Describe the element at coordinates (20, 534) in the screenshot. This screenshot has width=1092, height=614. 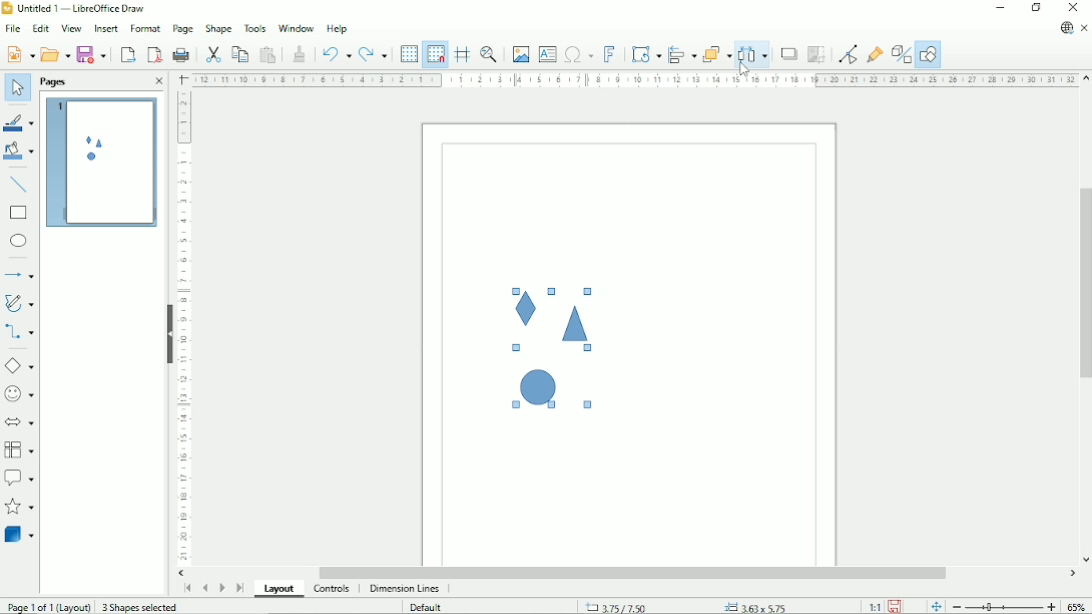
I see `3D Objects` at that location.